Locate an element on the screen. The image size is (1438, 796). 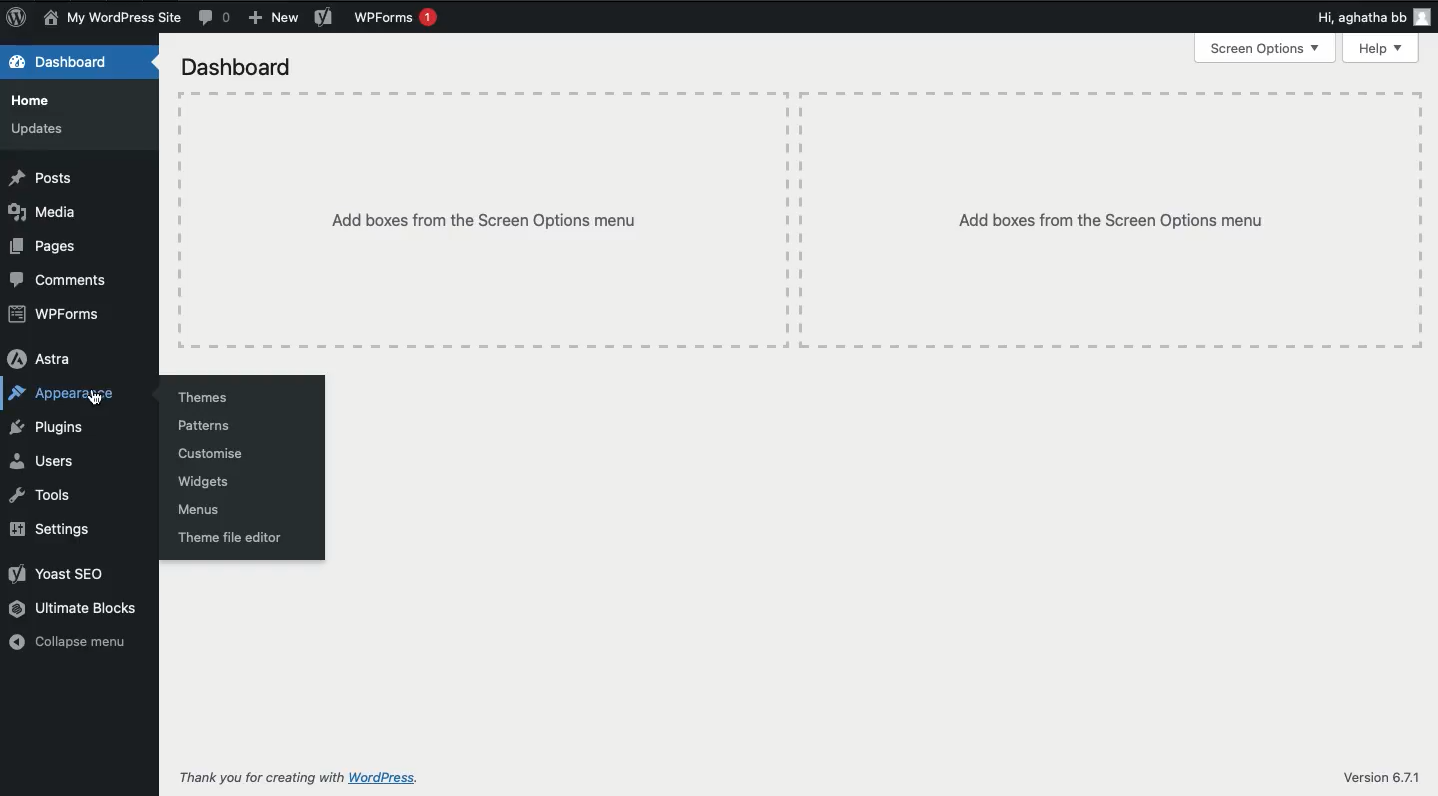
Ultimate blocks is located at coordinates (75, 610).